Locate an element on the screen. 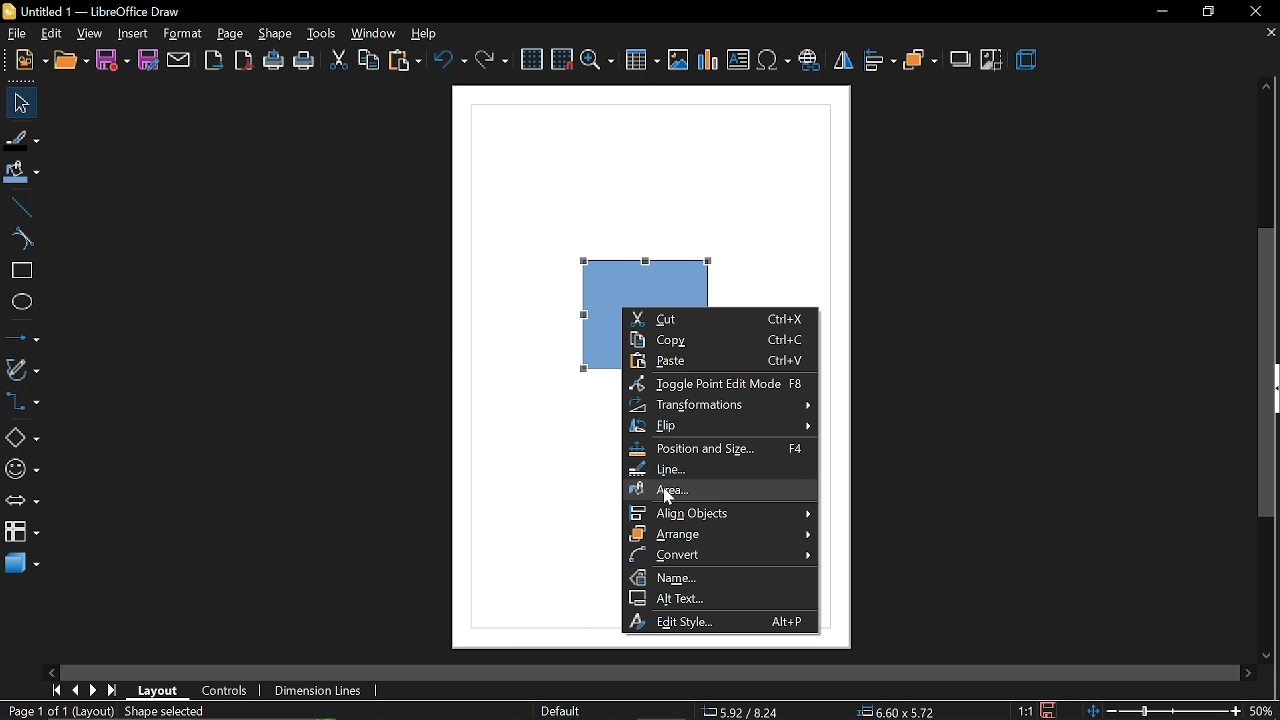 This screenshot has width=1280, height=720. flip is located at coordinates (845, 63).